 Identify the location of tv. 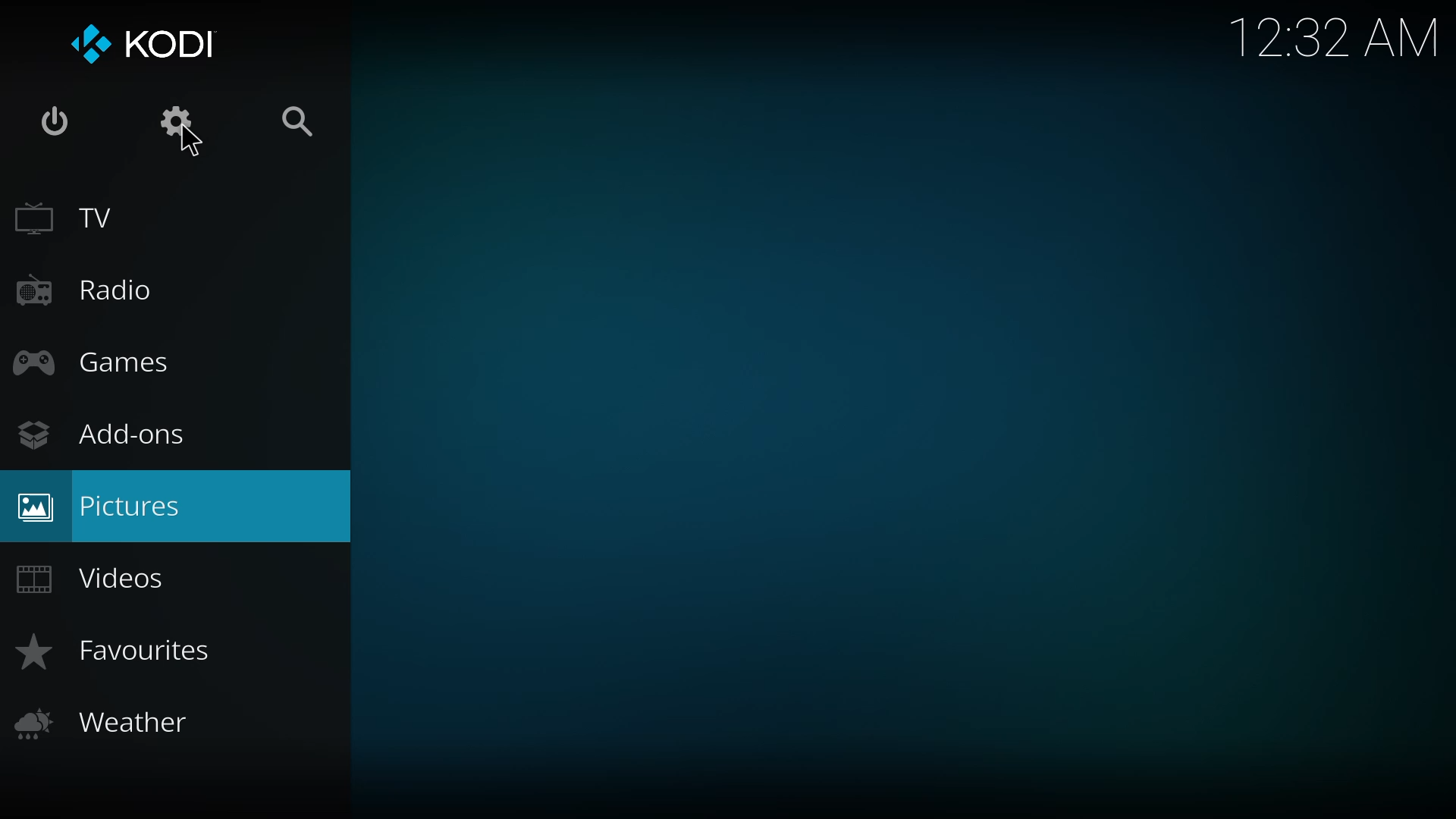
(64, 218).